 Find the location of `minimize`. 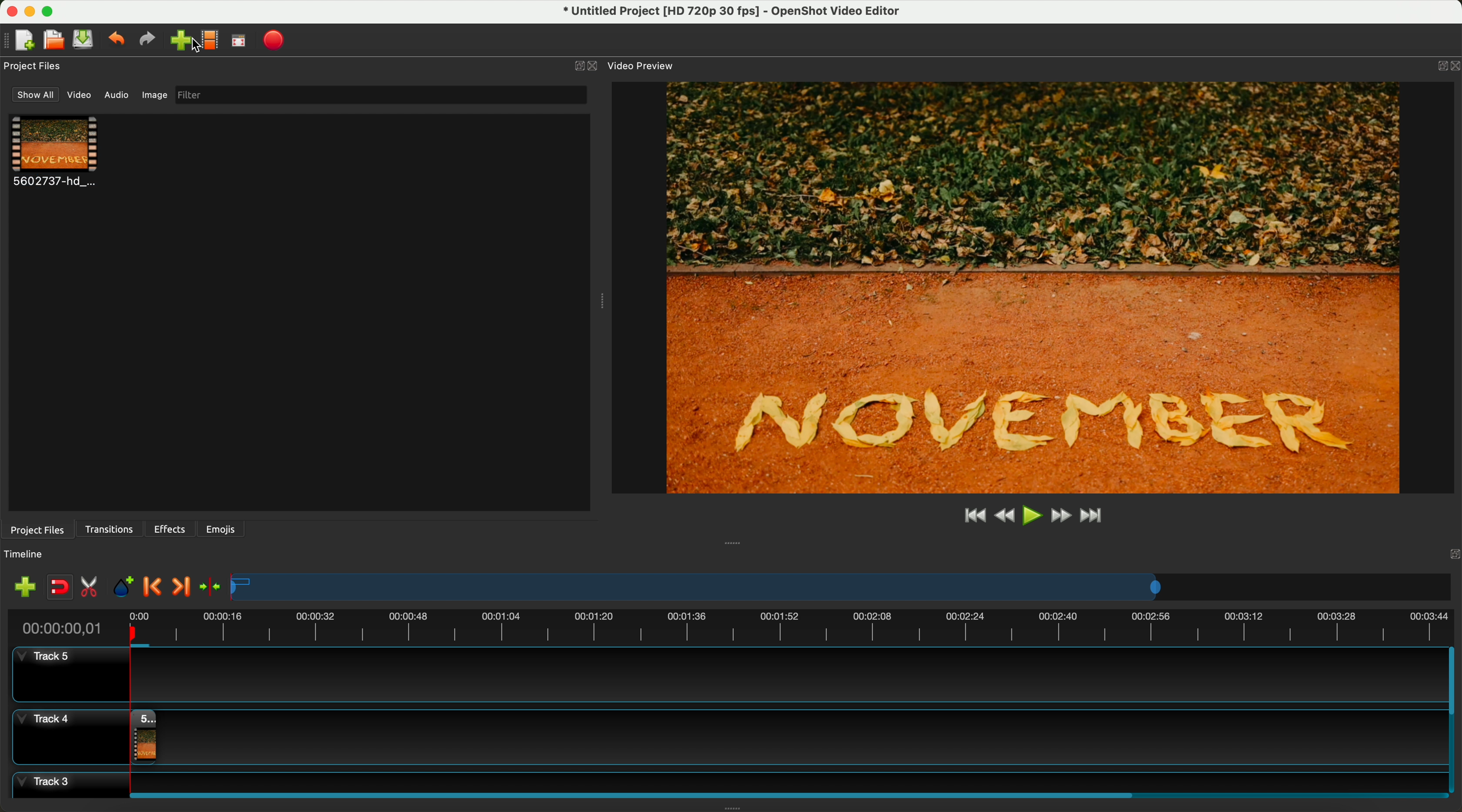

minimize is located at coordinates (30, 14).